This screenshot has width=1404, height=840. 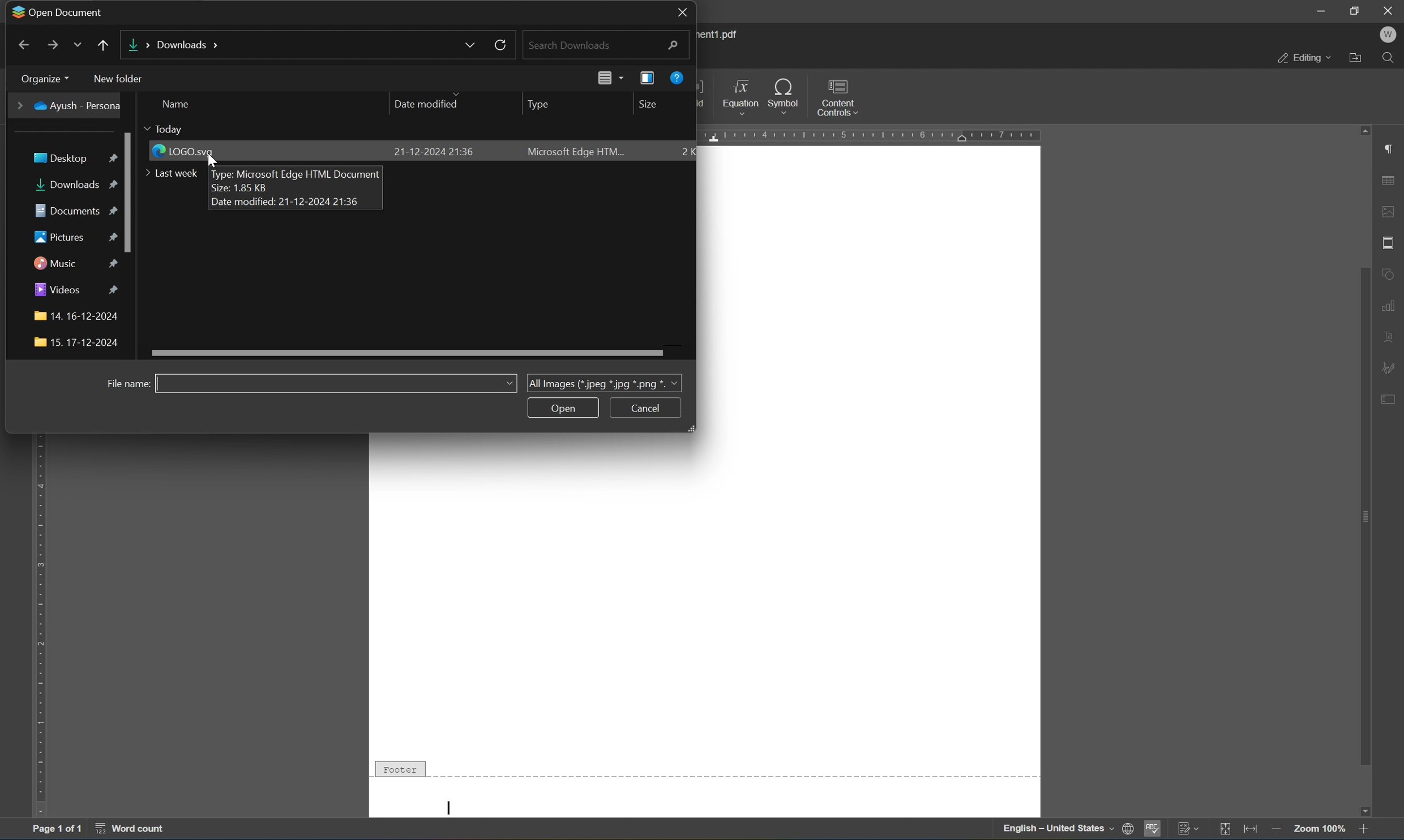 What do you see at coordinates (579, 152) in the screenshot?
I see `Microsoft edge HTML` at bounding box center [579, 152].